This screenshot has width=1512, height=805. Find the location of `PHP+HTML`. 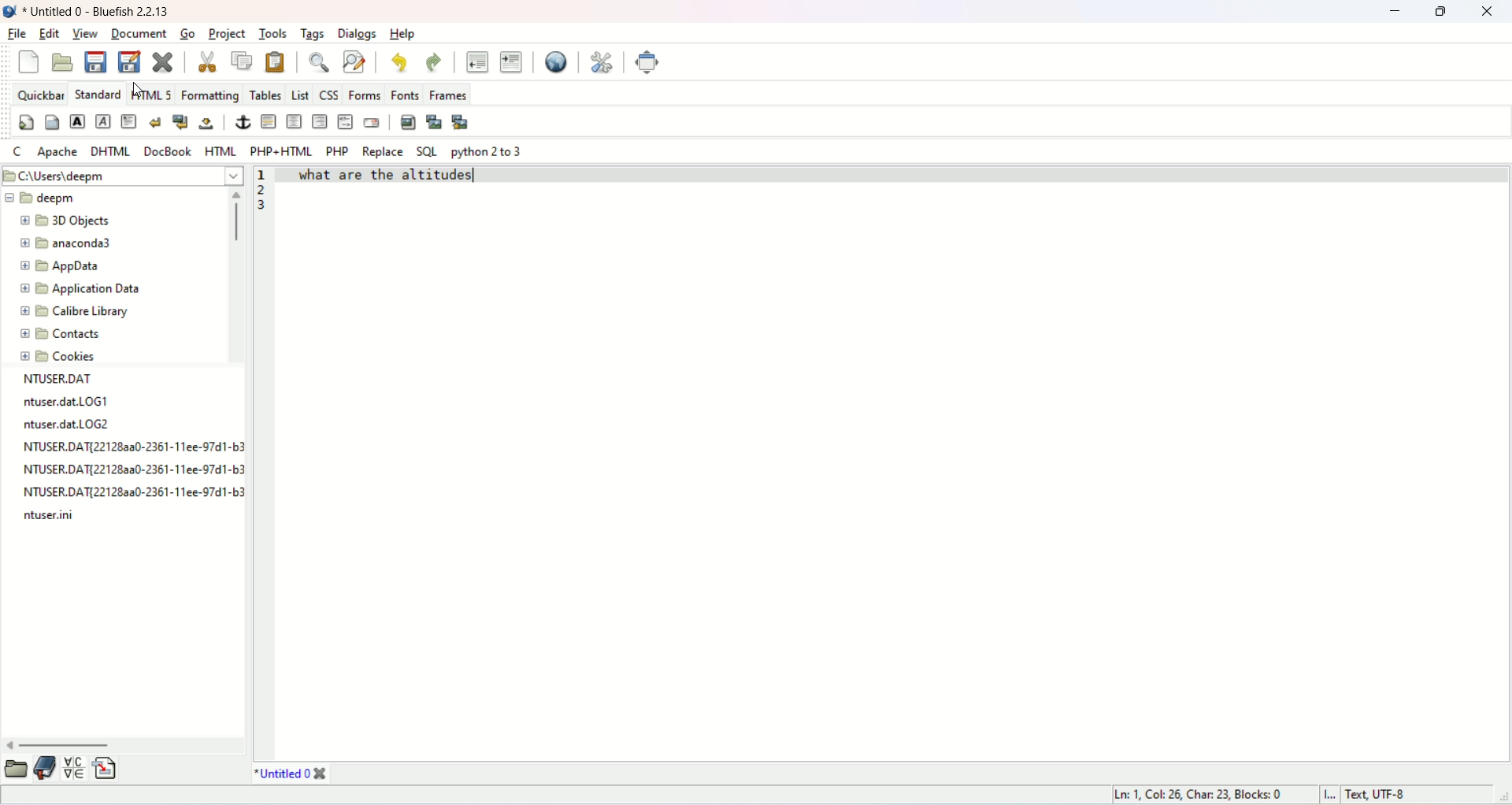

PHP+HTML is located at coordinates (281, 149).